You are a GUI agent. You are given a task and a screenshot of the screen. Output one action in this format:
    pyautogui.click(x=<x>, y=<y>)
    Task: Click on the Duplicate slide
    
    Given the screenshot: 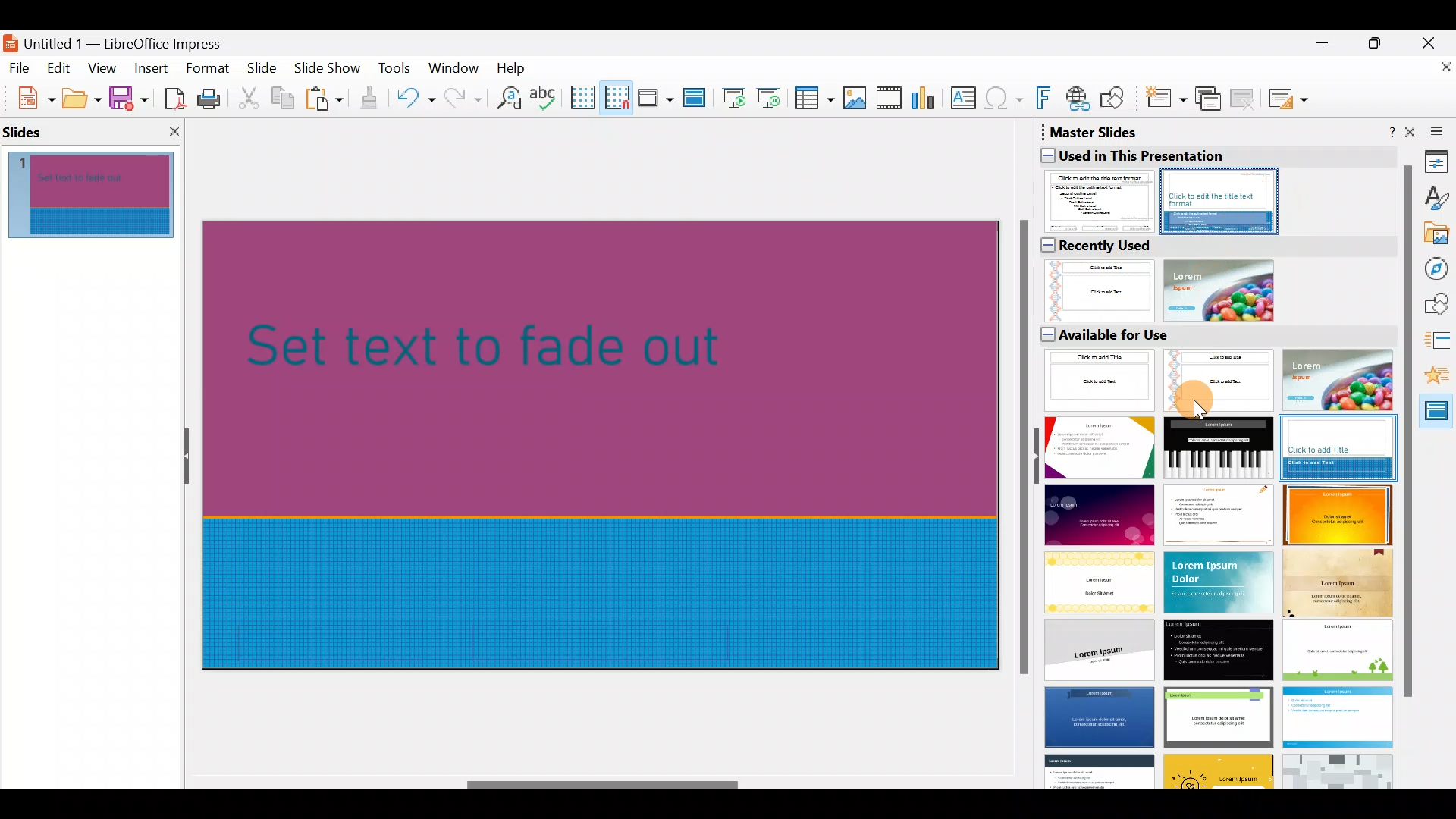 What is the action you would take?
    pyautogui.click(x=1210, y=99)
    